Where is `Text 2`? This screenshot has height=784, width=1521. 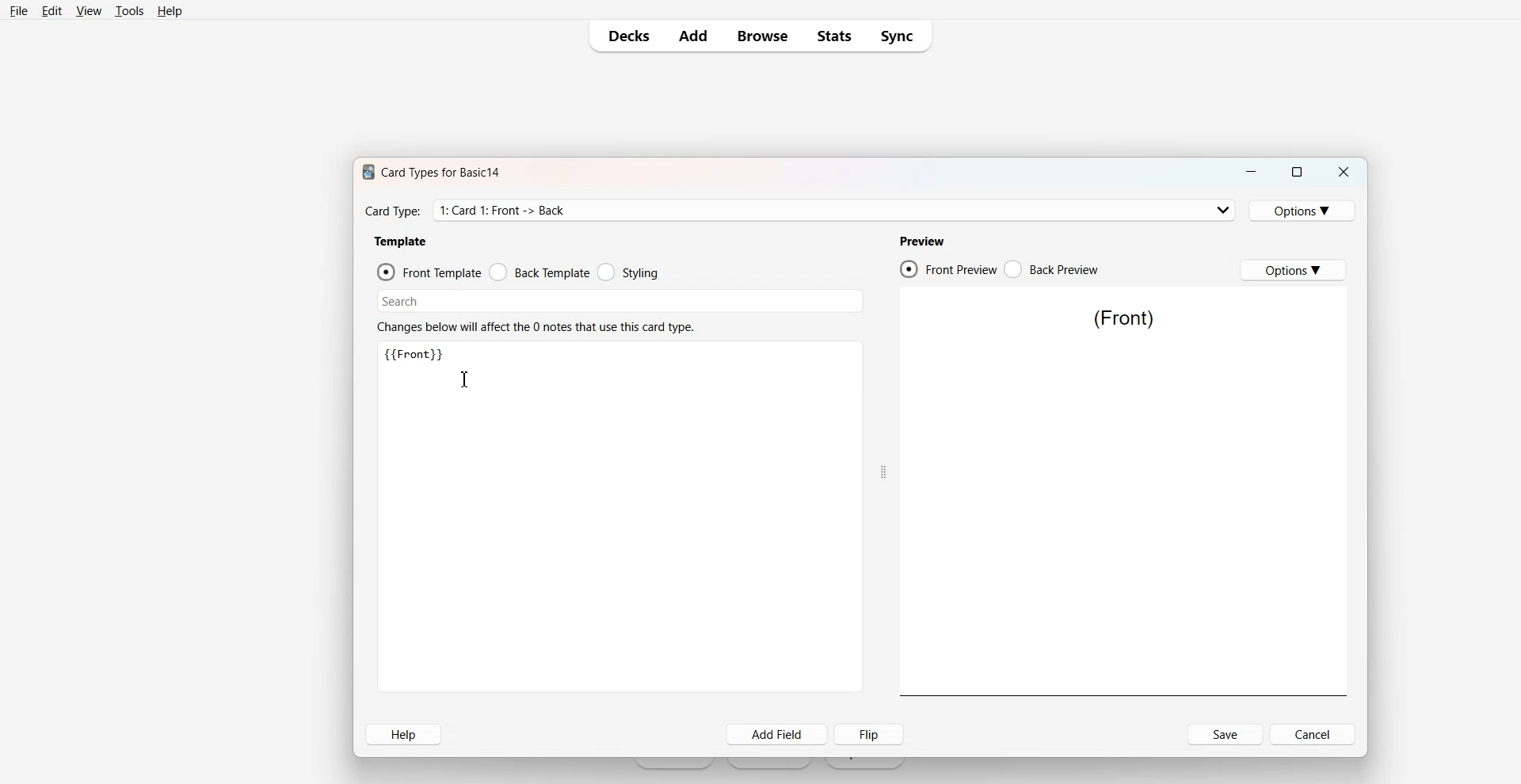 Text 2 is located at coordinates (536, 326).